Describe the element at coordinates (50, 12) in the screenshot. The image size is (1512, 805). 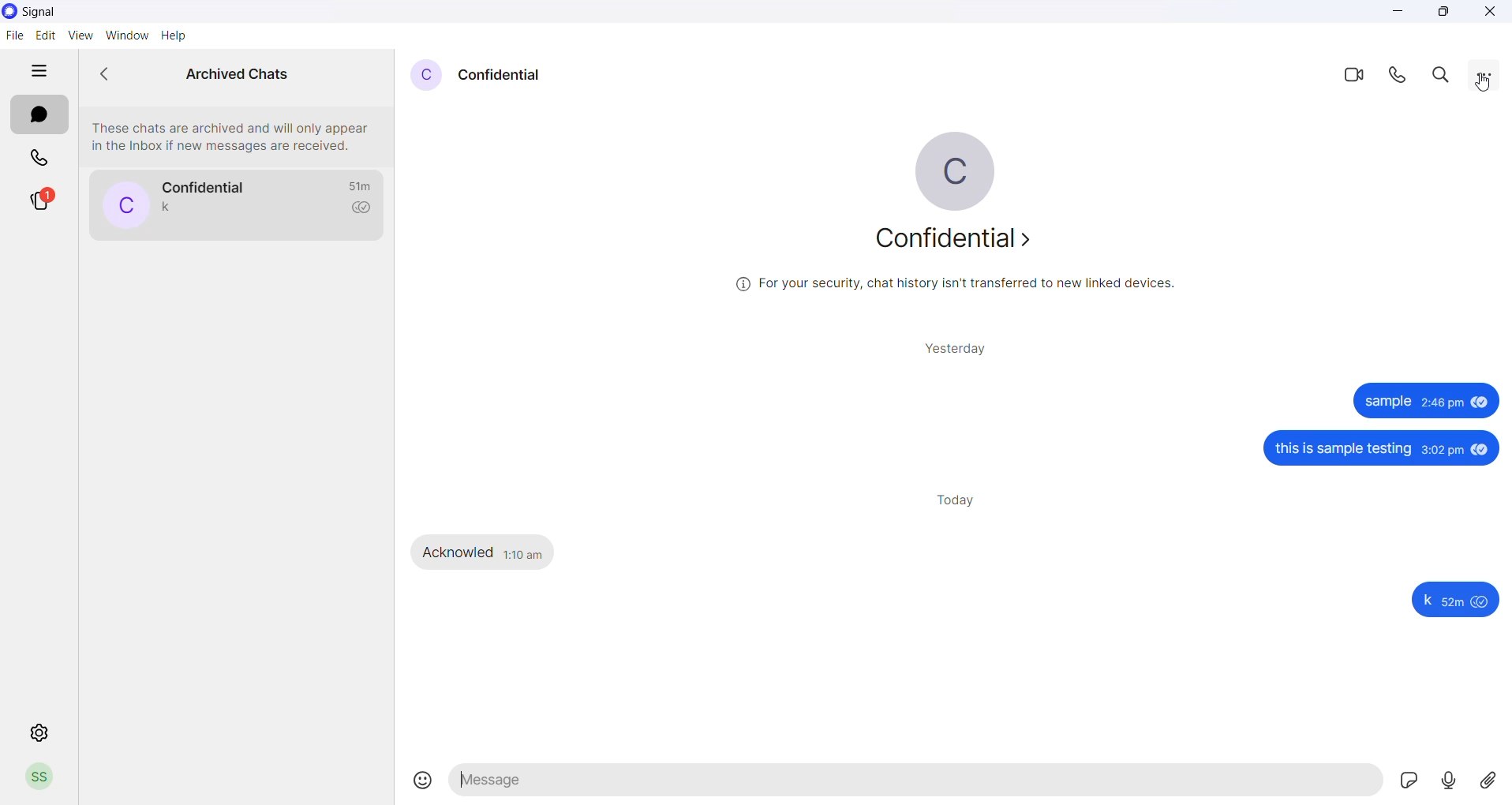
I see `application name and logo` at that location.